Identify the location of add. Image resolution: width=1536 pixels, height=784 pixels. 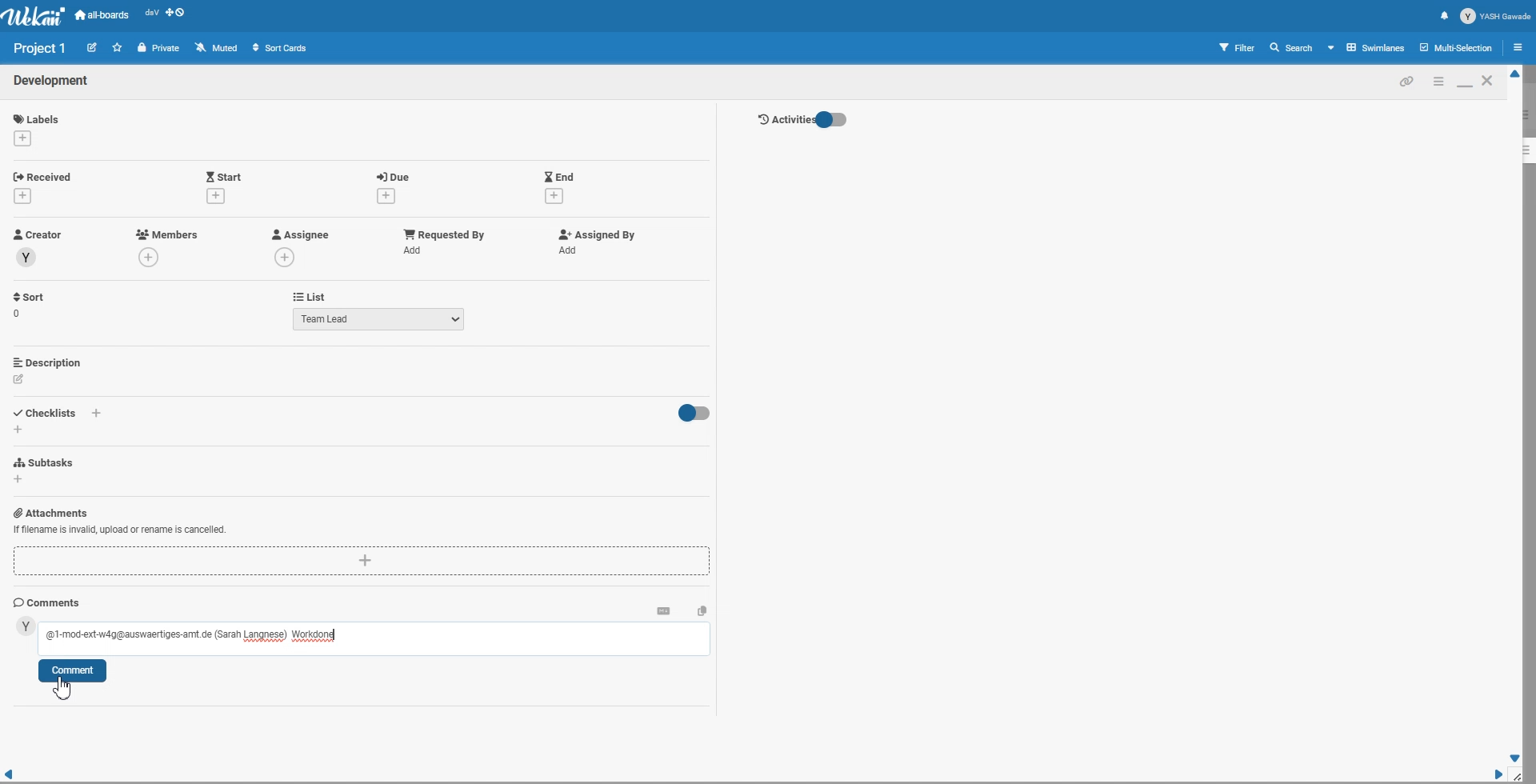
(98, 414).